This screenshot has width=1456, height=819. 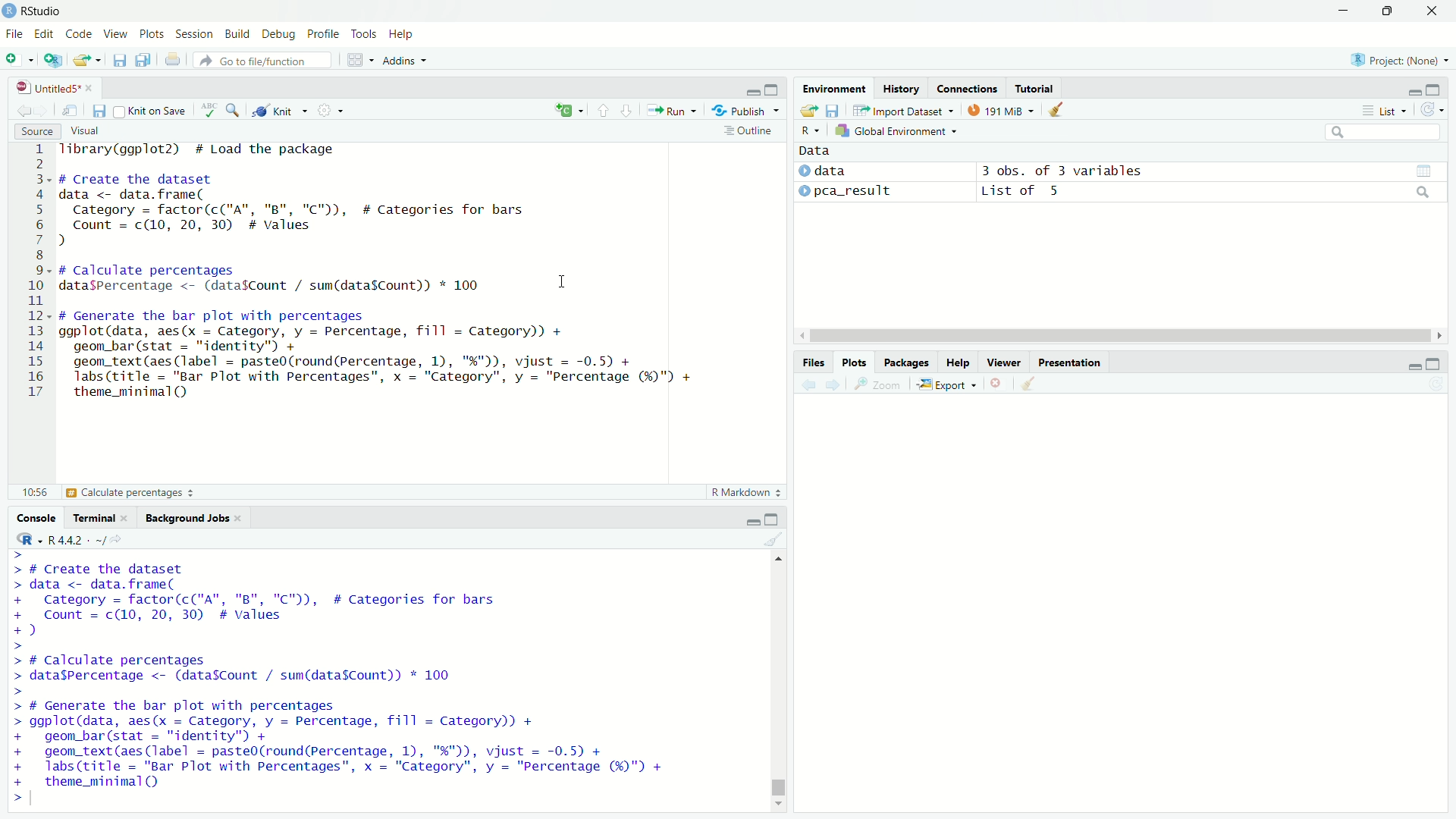 What do you see at coordinates (1389, 12) in the screenshot?
I see `maximize` at bounding box center [1389, 12].